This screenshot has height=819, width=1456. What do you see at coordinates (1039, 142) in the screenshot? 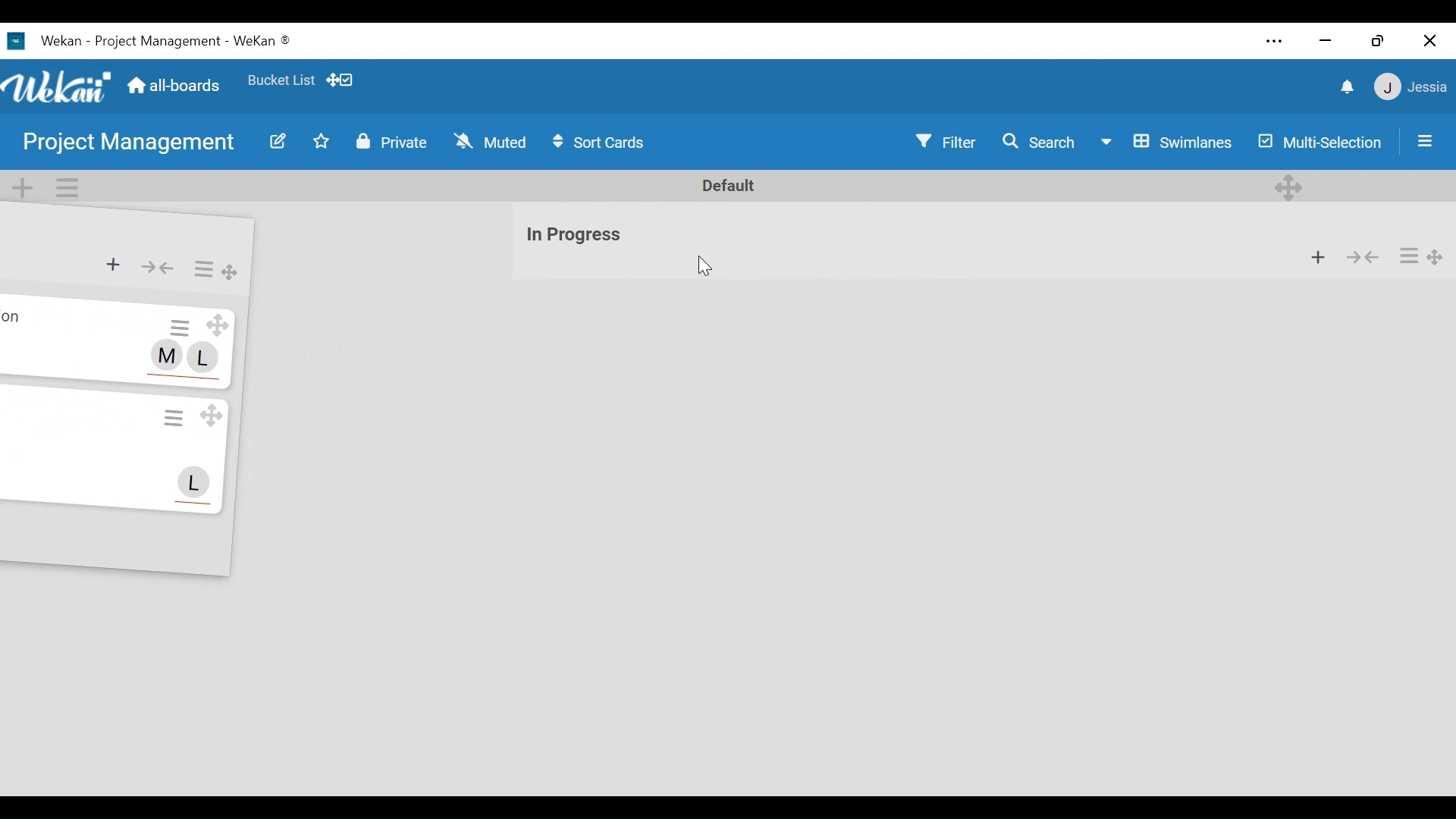
I see `Search` at bounding box center [1039, 142].